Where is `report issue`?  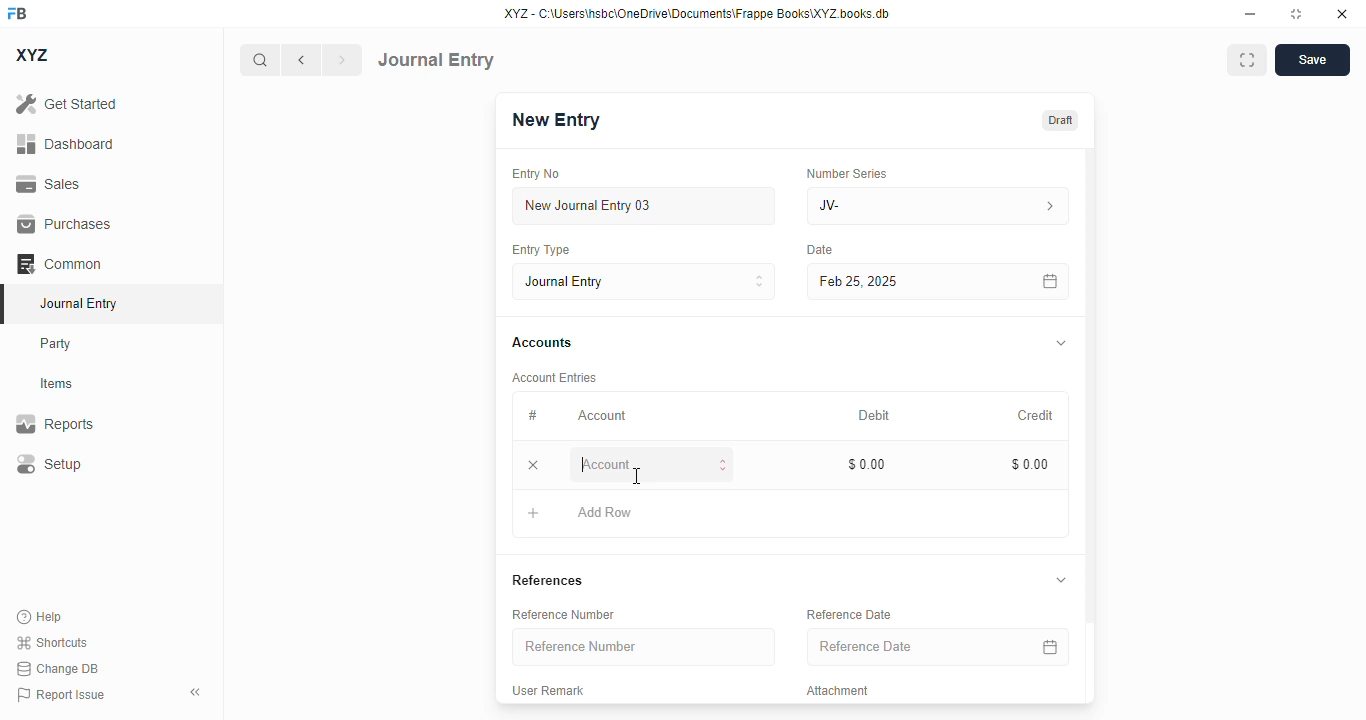
report issue is located at coordinates (61, 695).